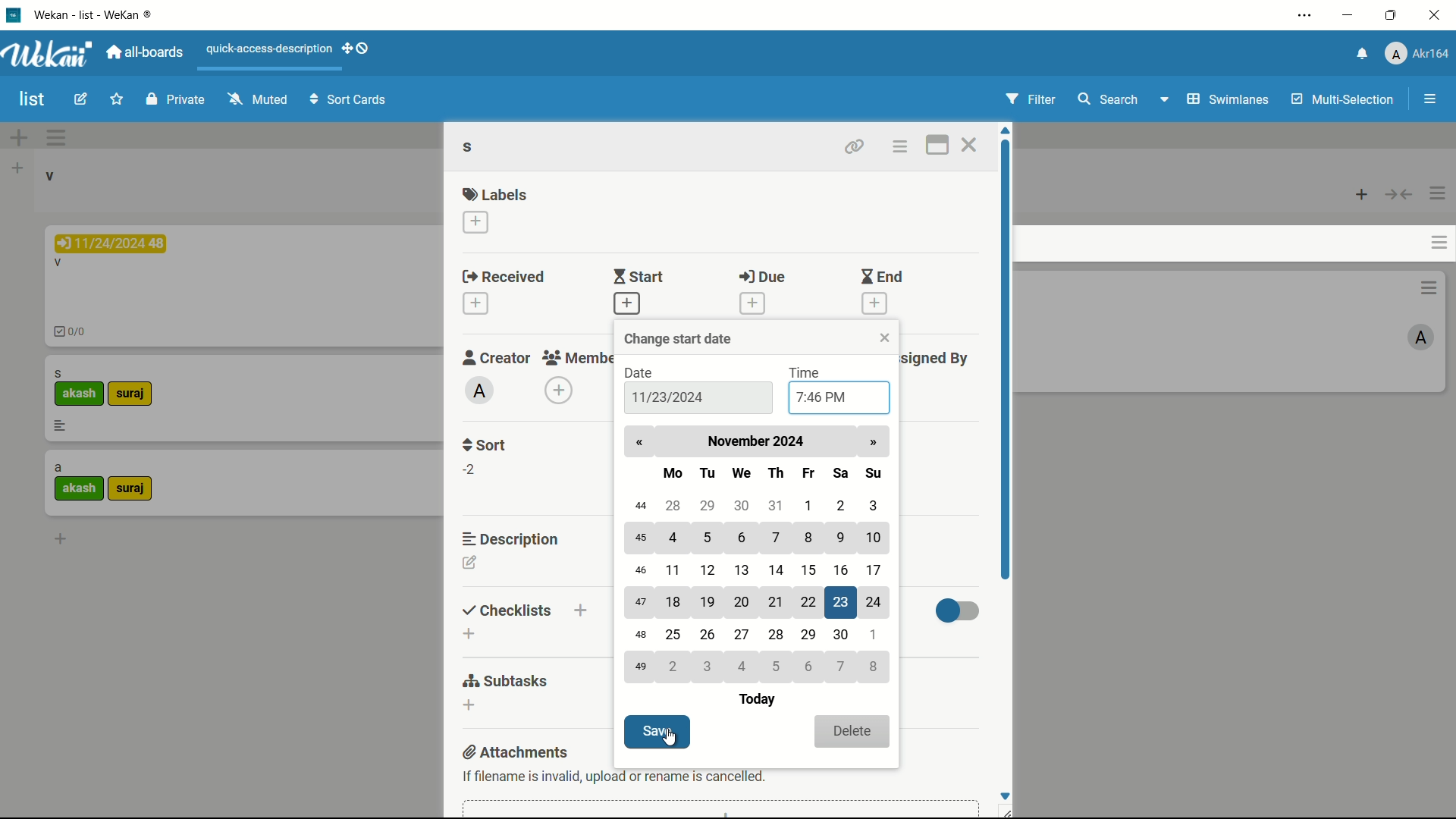 The width and height of the screenshot is (1456, 819). What do you see at coordinates (495, 194) in the screenshot?
I see `labels` at bounding box center [495, 194].